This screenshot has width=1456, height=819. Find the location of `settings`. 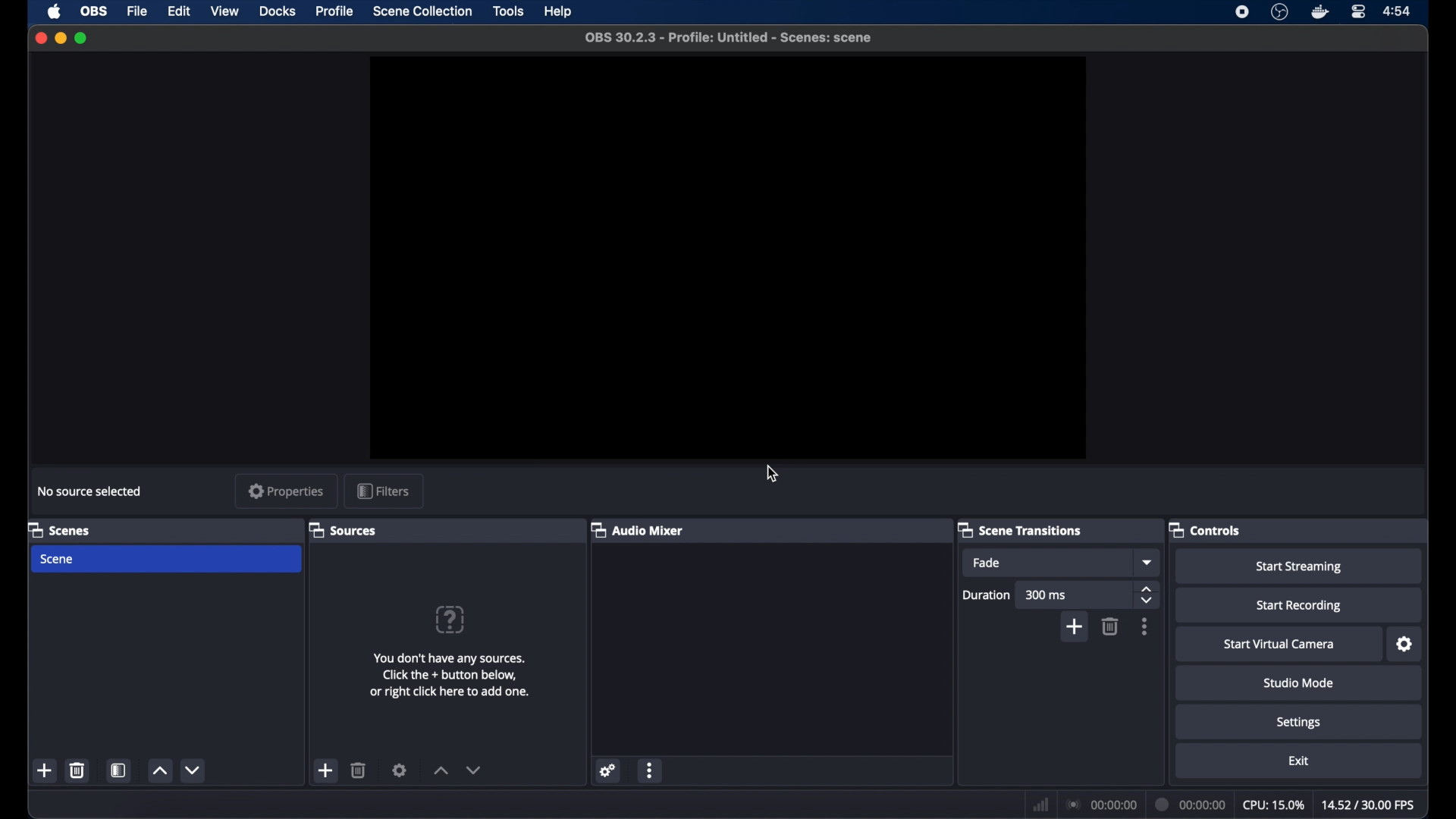

settings is located at coordinates (1404, 643).